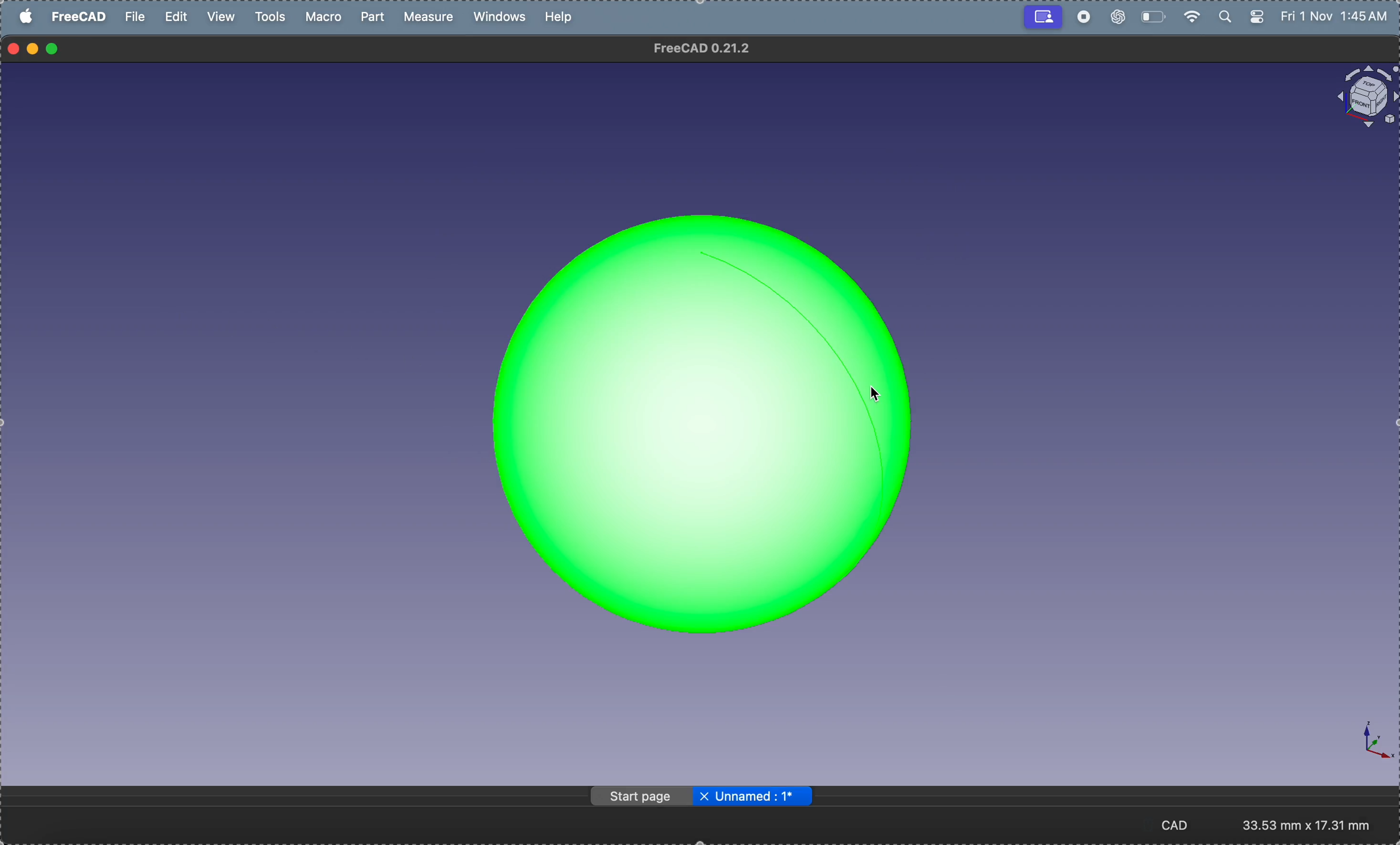 The height and width of the screenshot is (845, 1400). What do you see at coordinates (1191, 15) in the screenshot?
I see `wifi` at bounding box center [1191, 15].